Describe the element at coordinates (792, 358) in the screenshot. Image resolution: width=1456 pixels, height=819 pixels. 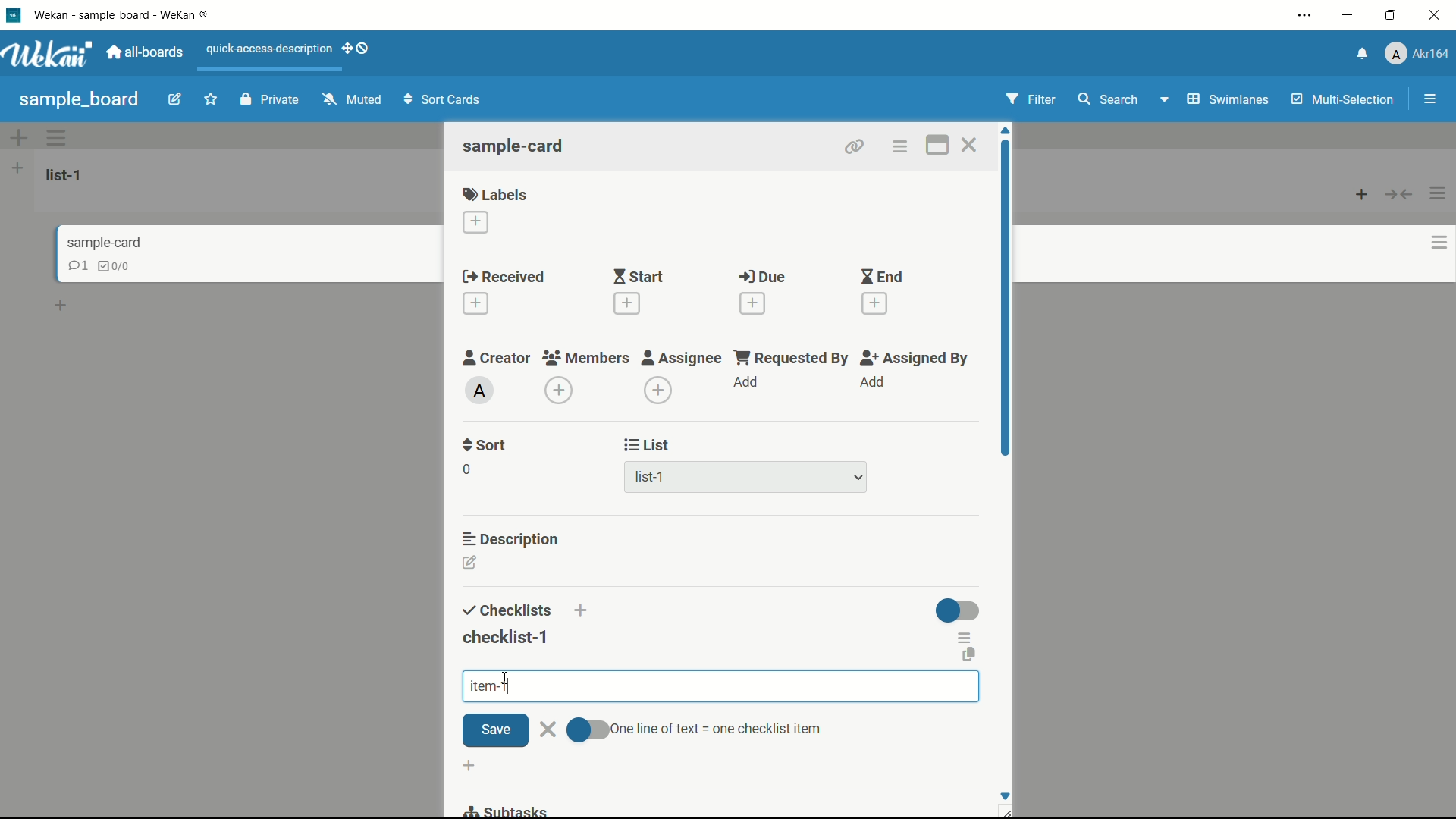
I see `requested by` at that location.